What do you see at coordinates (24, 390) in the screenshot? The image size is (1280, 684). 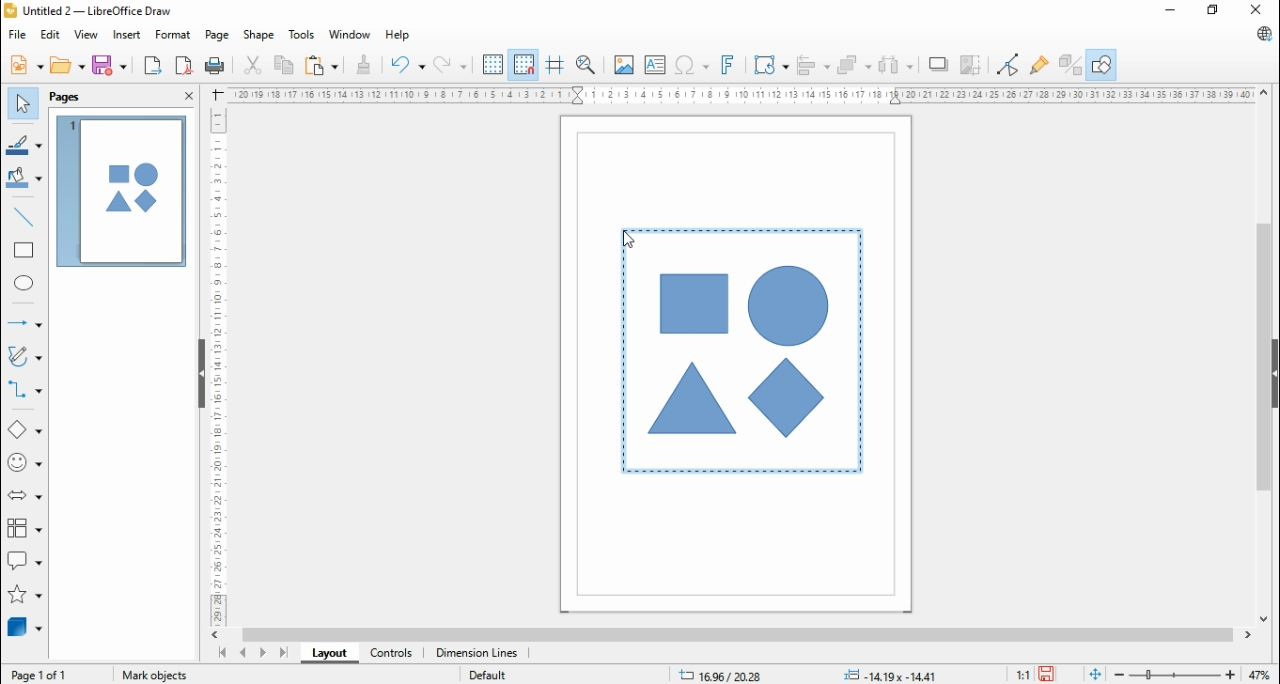 I see `connectors` at bounding box center [24, 390].